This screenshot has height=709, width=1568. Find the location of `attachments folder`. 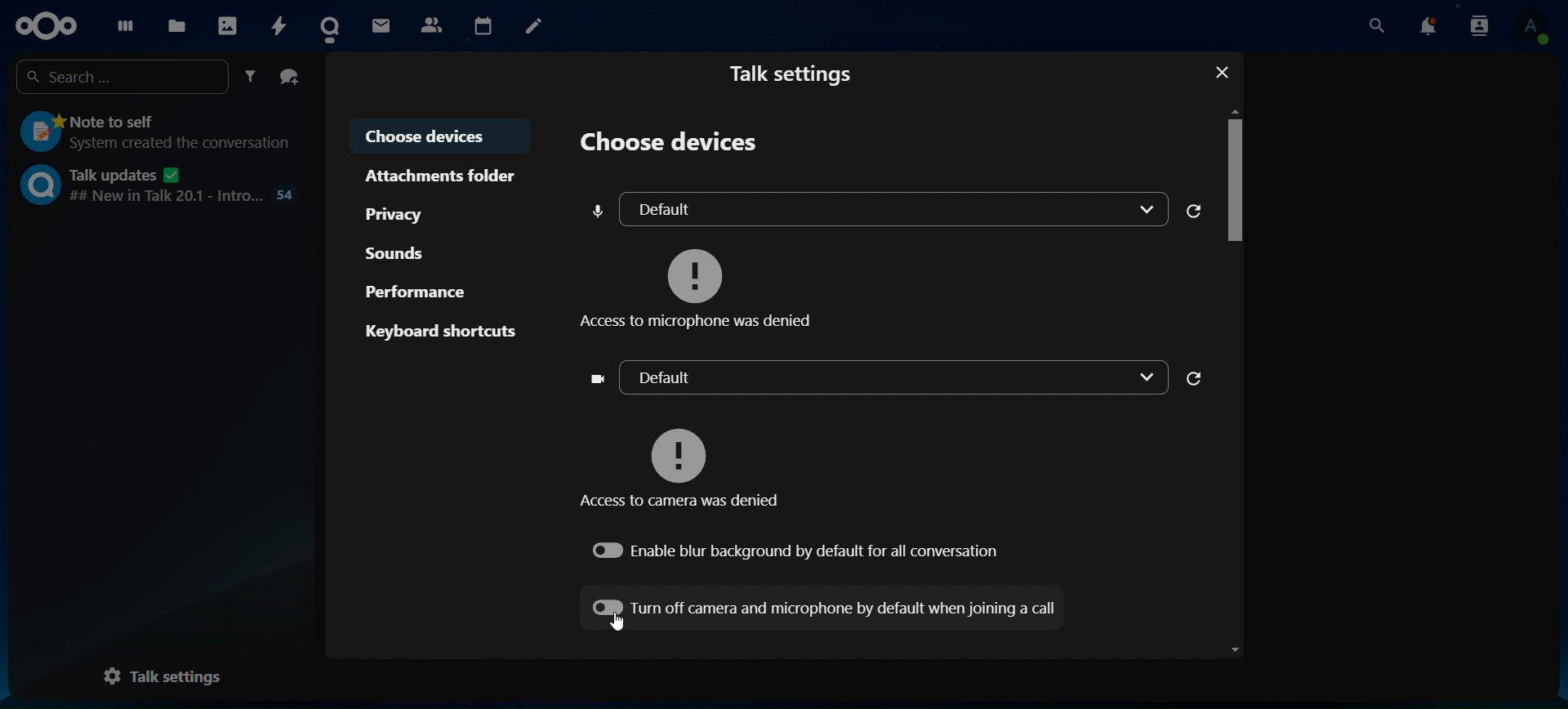

attachments folder is located at coordinates (442, 176).